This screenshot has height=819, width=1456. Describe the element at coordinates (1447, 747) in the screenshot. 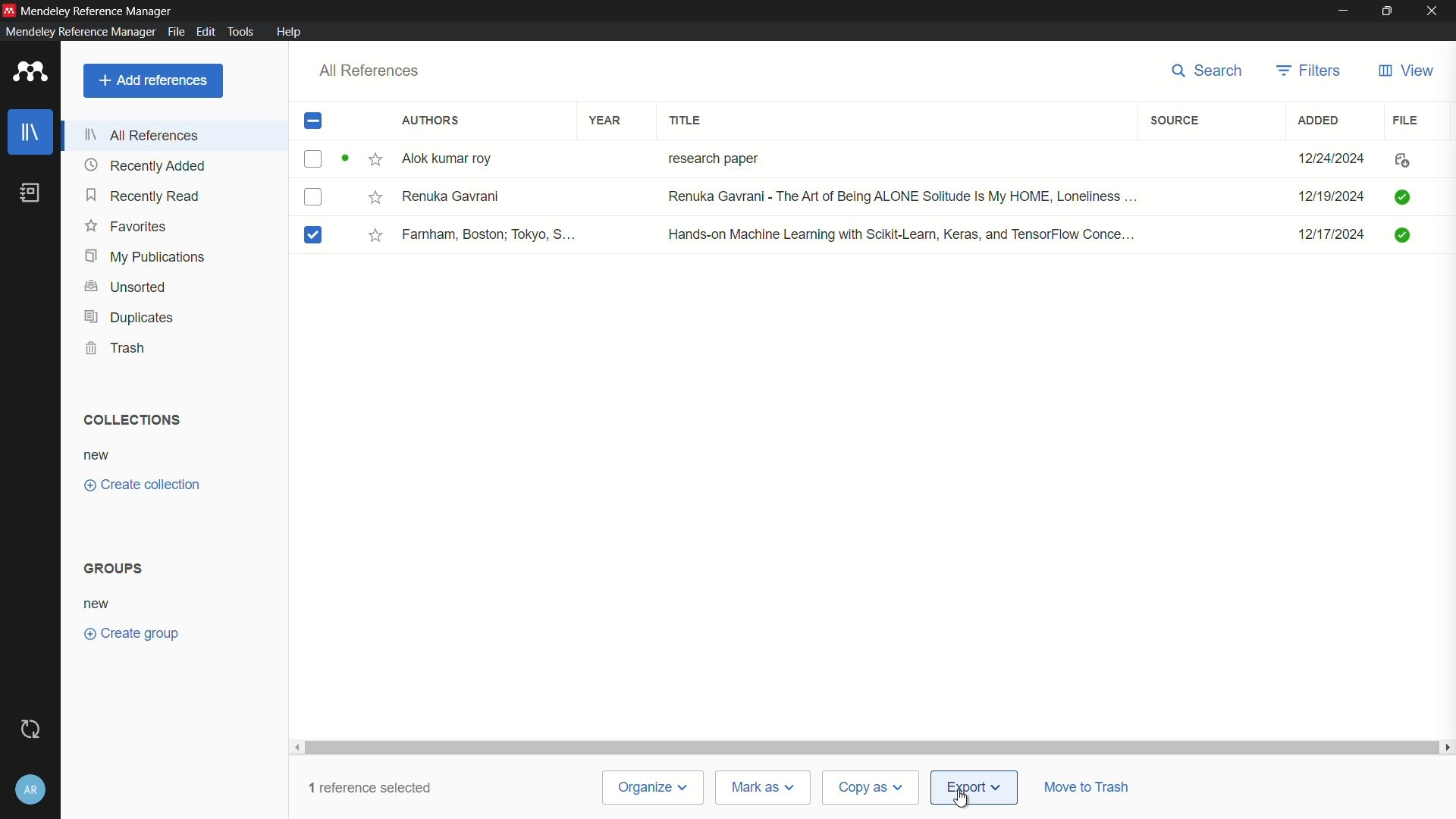

I see `scroll right` at that location.